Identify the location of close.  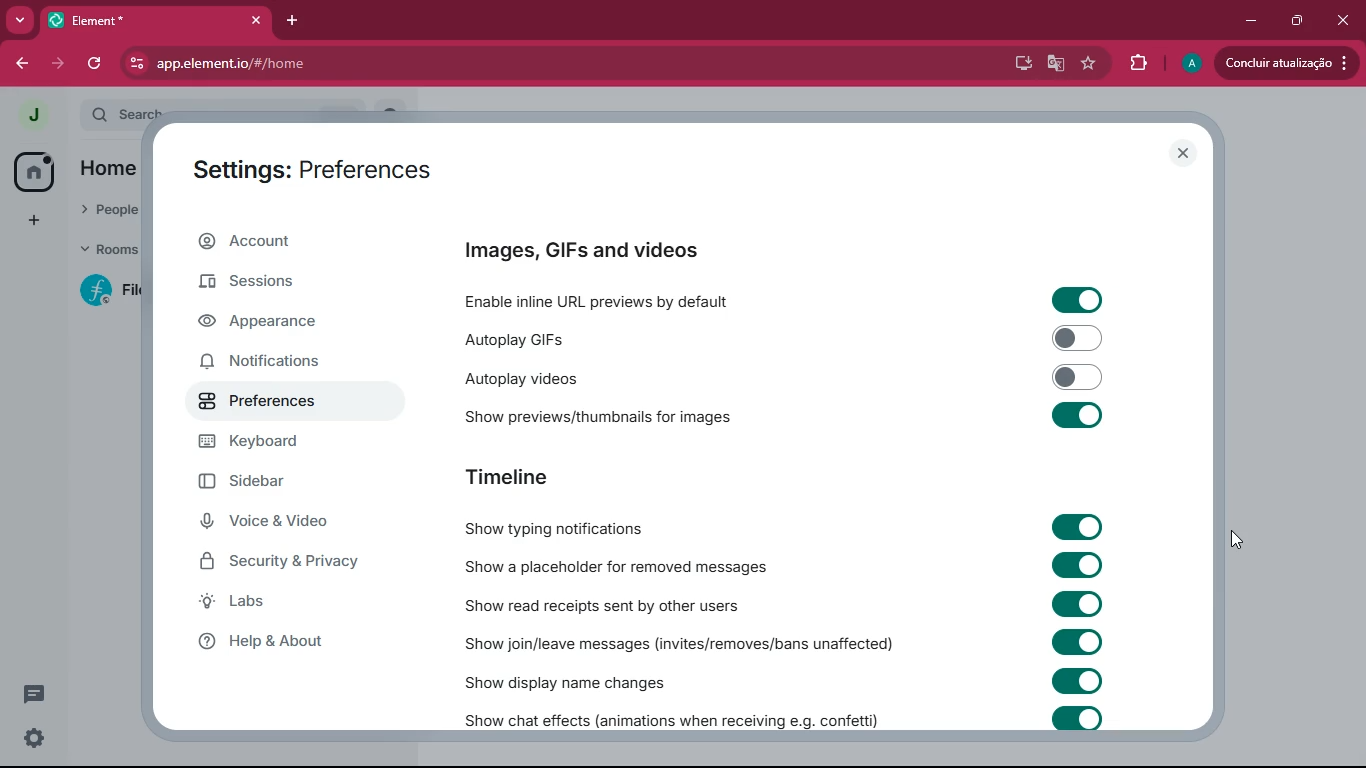
(1181, 154).